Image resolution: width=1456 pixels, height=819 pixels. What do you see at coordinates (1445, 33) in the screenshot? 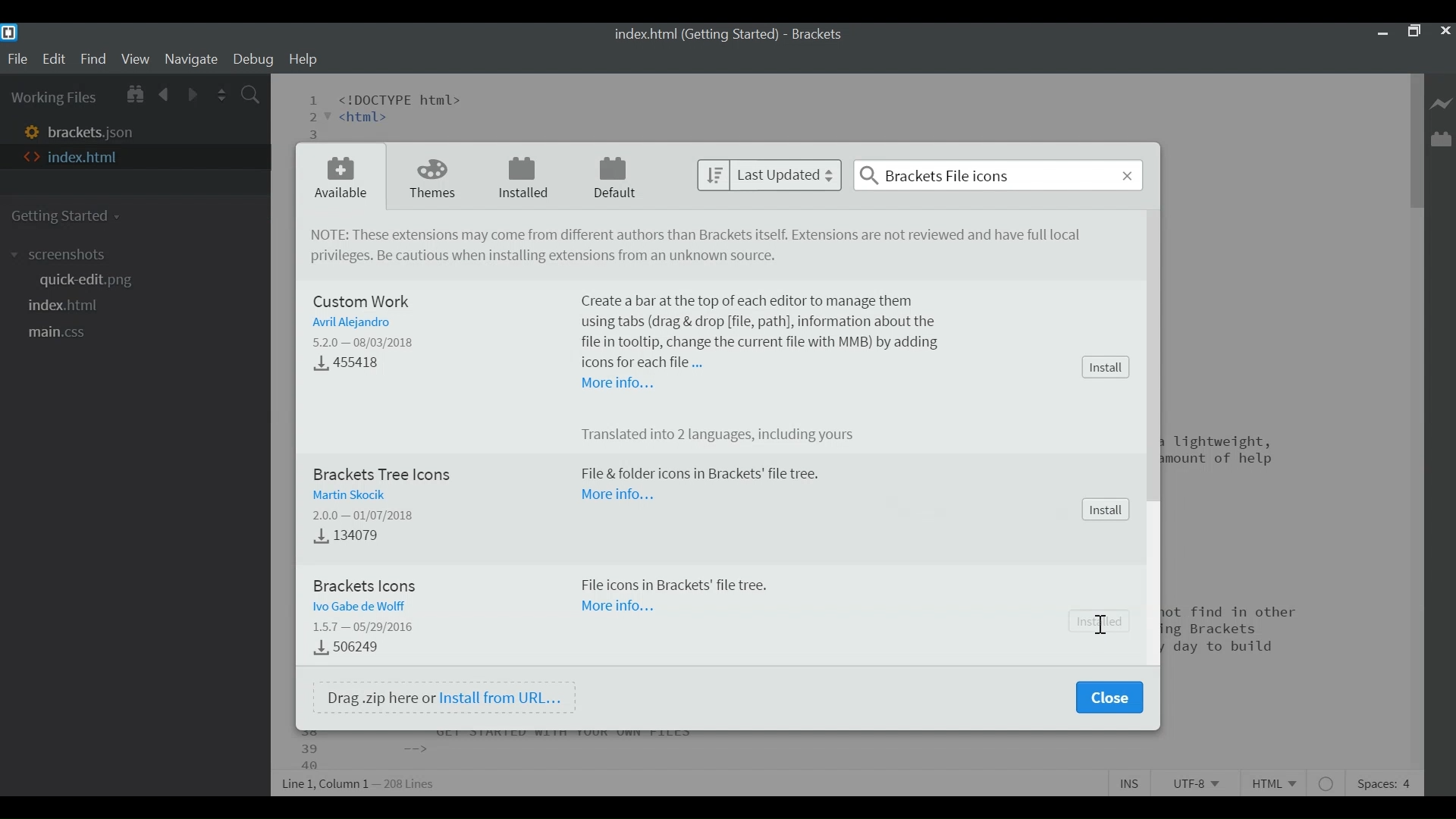
I see `Close` at bounding box center [1445, 33].